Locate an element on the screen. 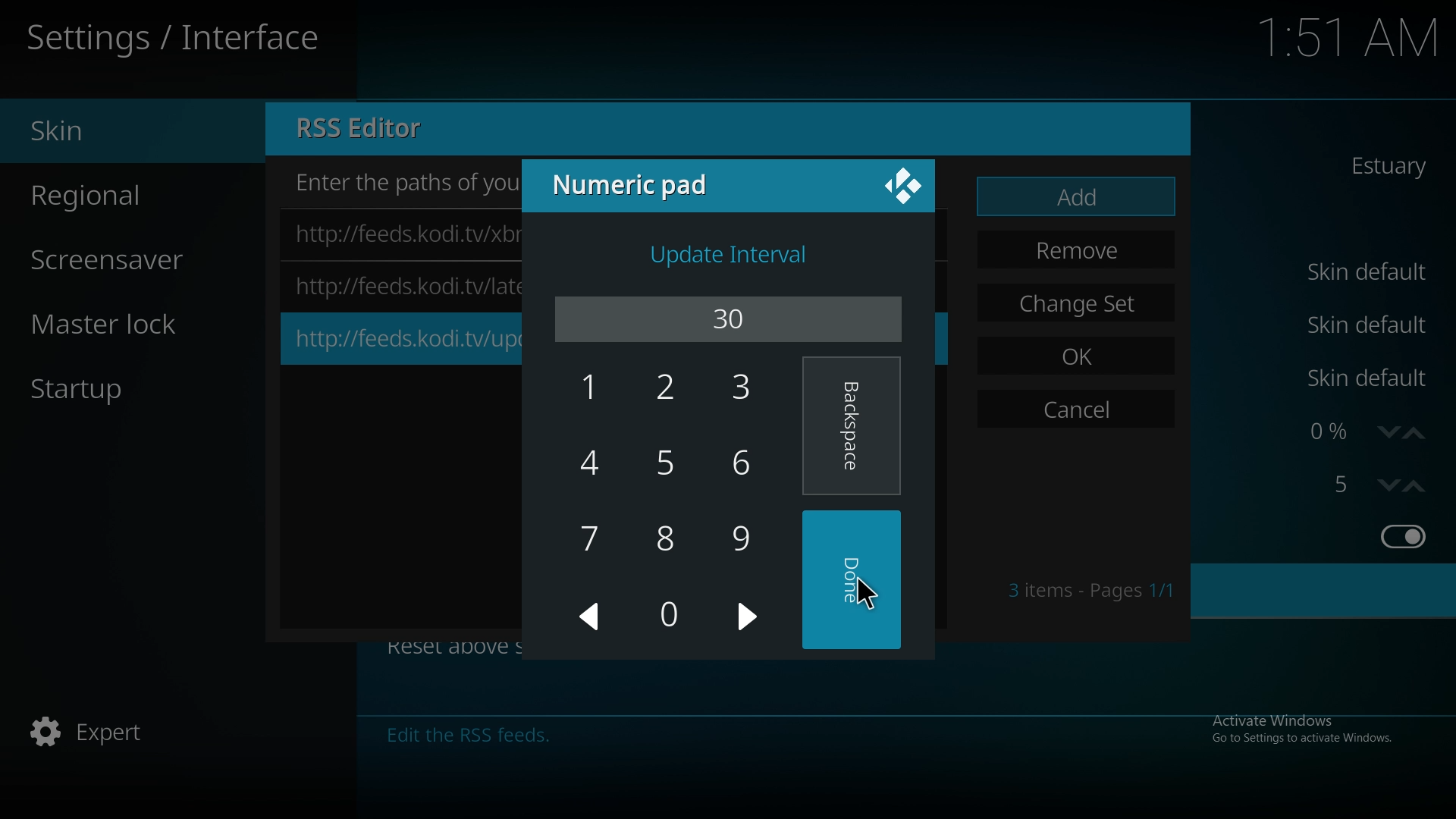 The height and width of the screenshot is (819, 1456). https://feeds.kodi.tv/xb is located at coordinates (400, 234).